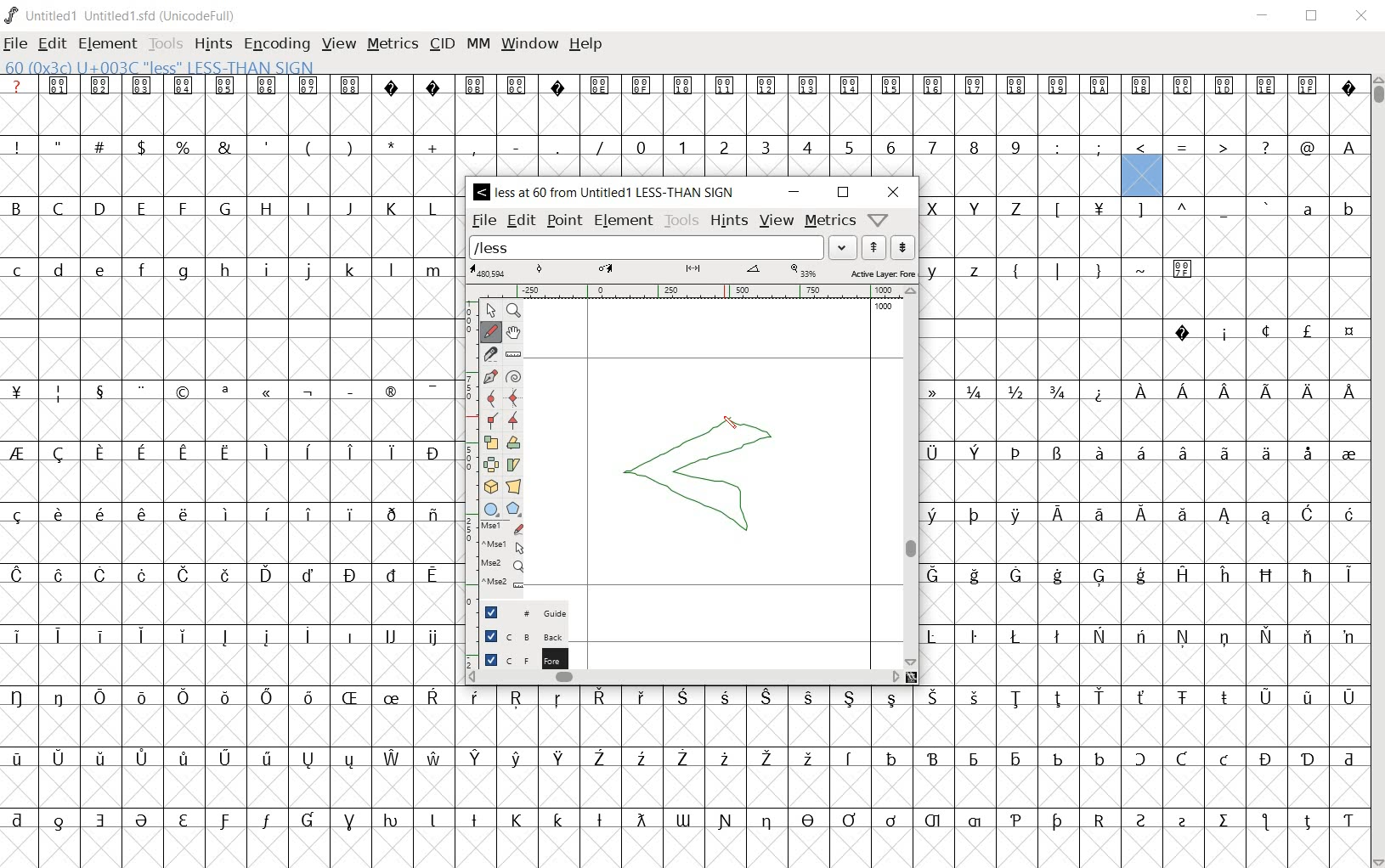 The width and height of the screenshot is (1385, 868). I want to click on , so click(1143, 301).